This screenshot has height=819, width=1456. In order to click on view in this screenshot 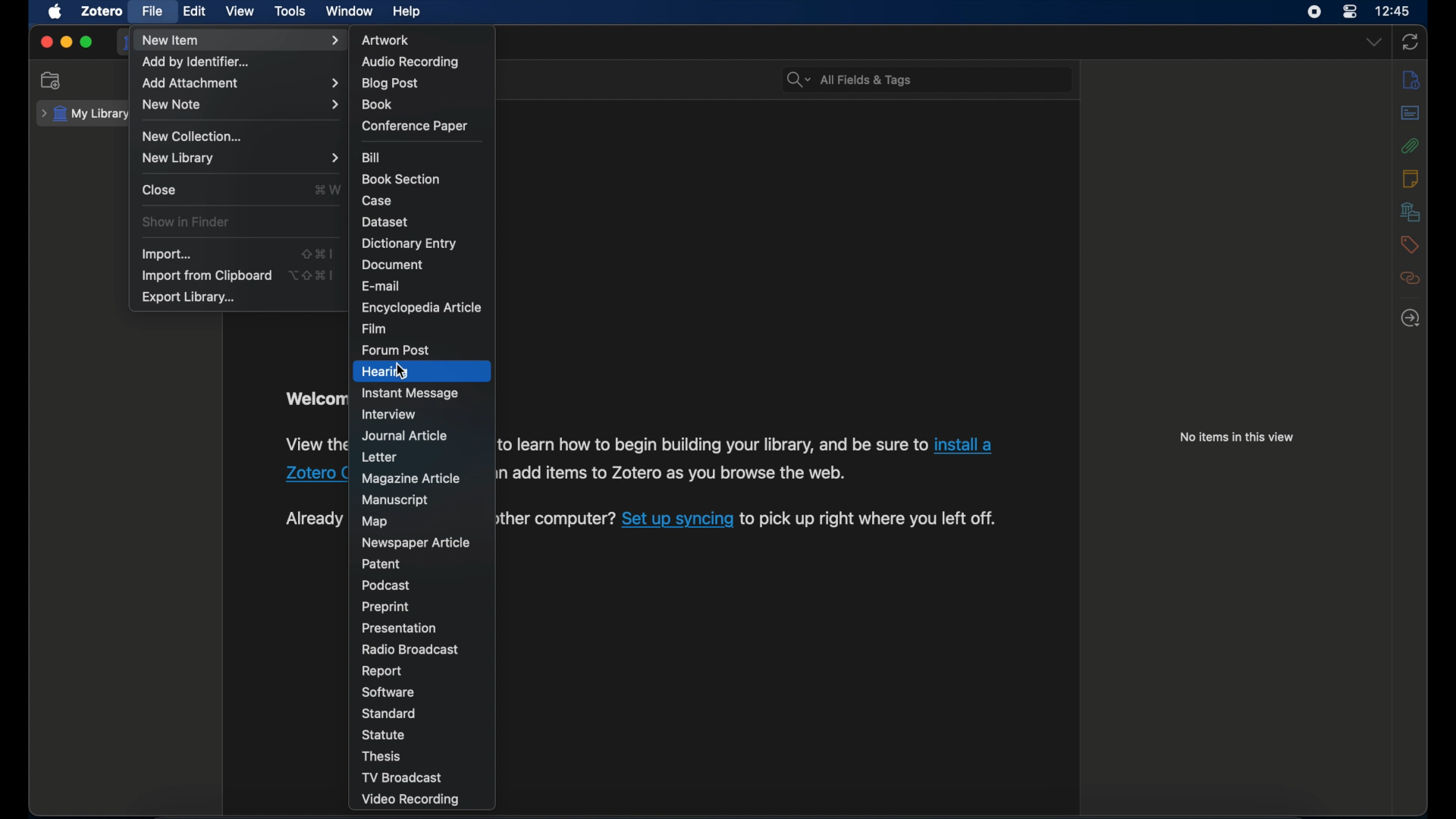, I will do `click(240, 11)`.